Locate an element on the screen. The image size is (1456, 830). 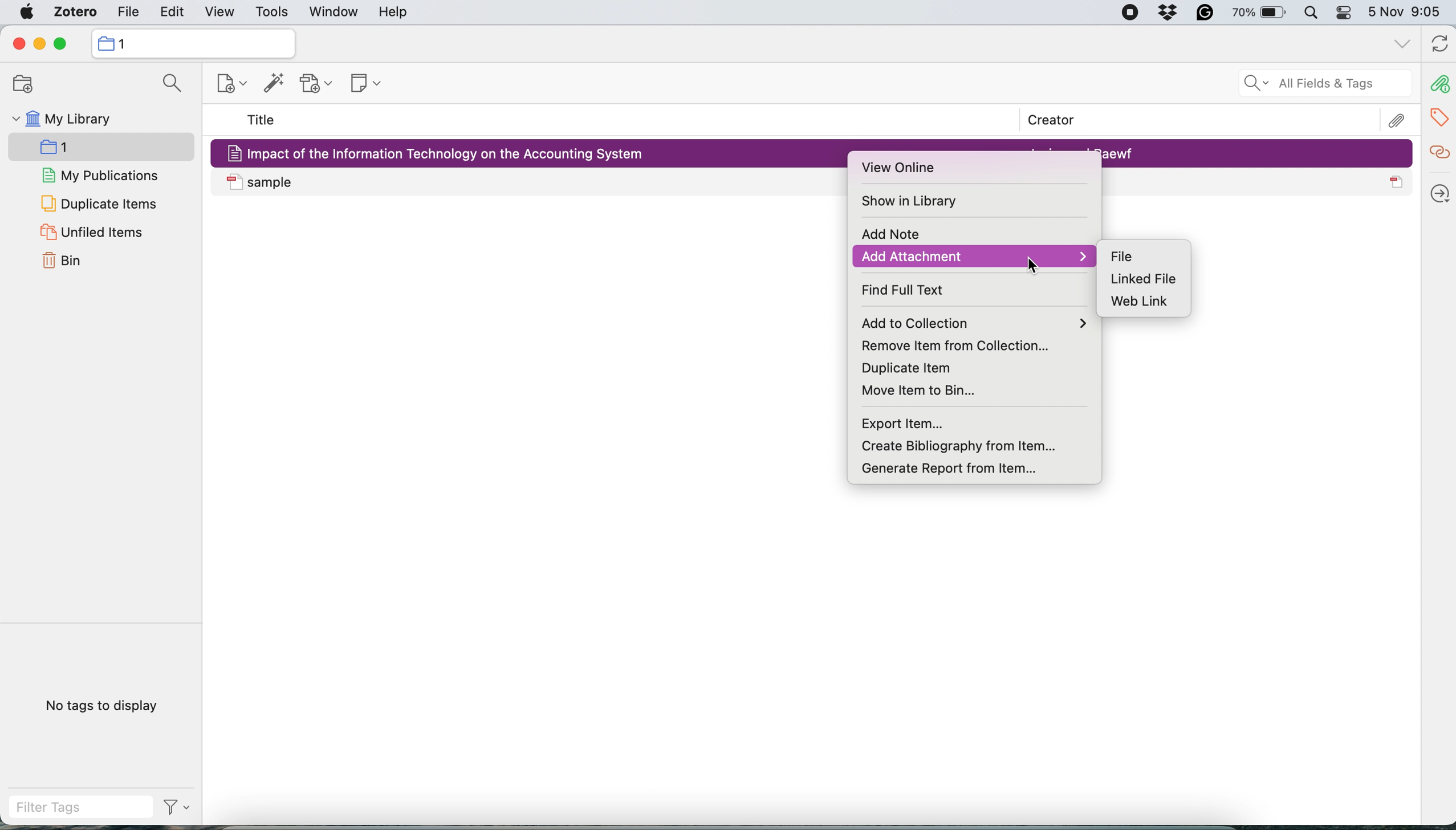
list all tabs is located at coordinates (1400, 44).